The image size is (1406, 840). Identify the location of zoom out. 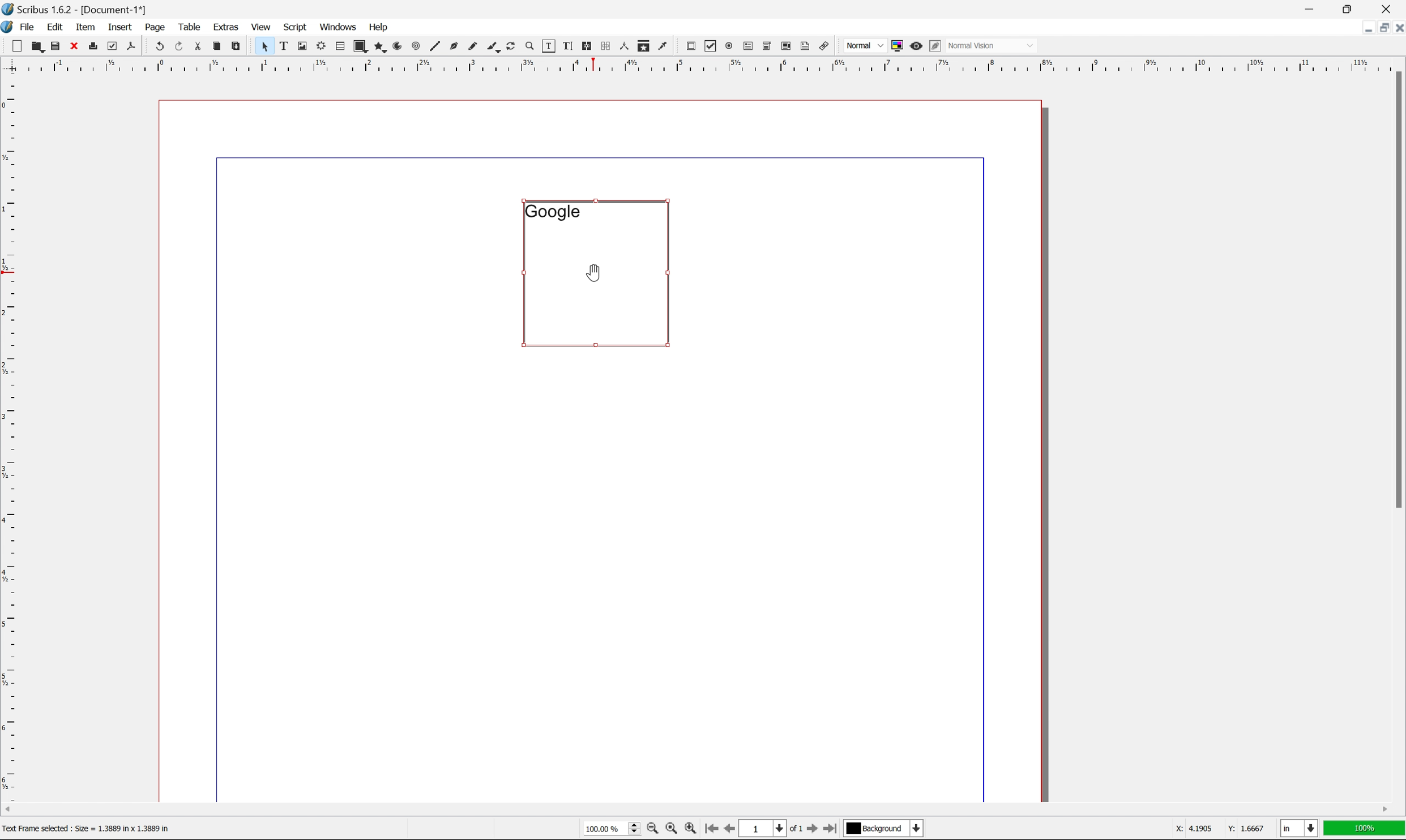
(649, 830).